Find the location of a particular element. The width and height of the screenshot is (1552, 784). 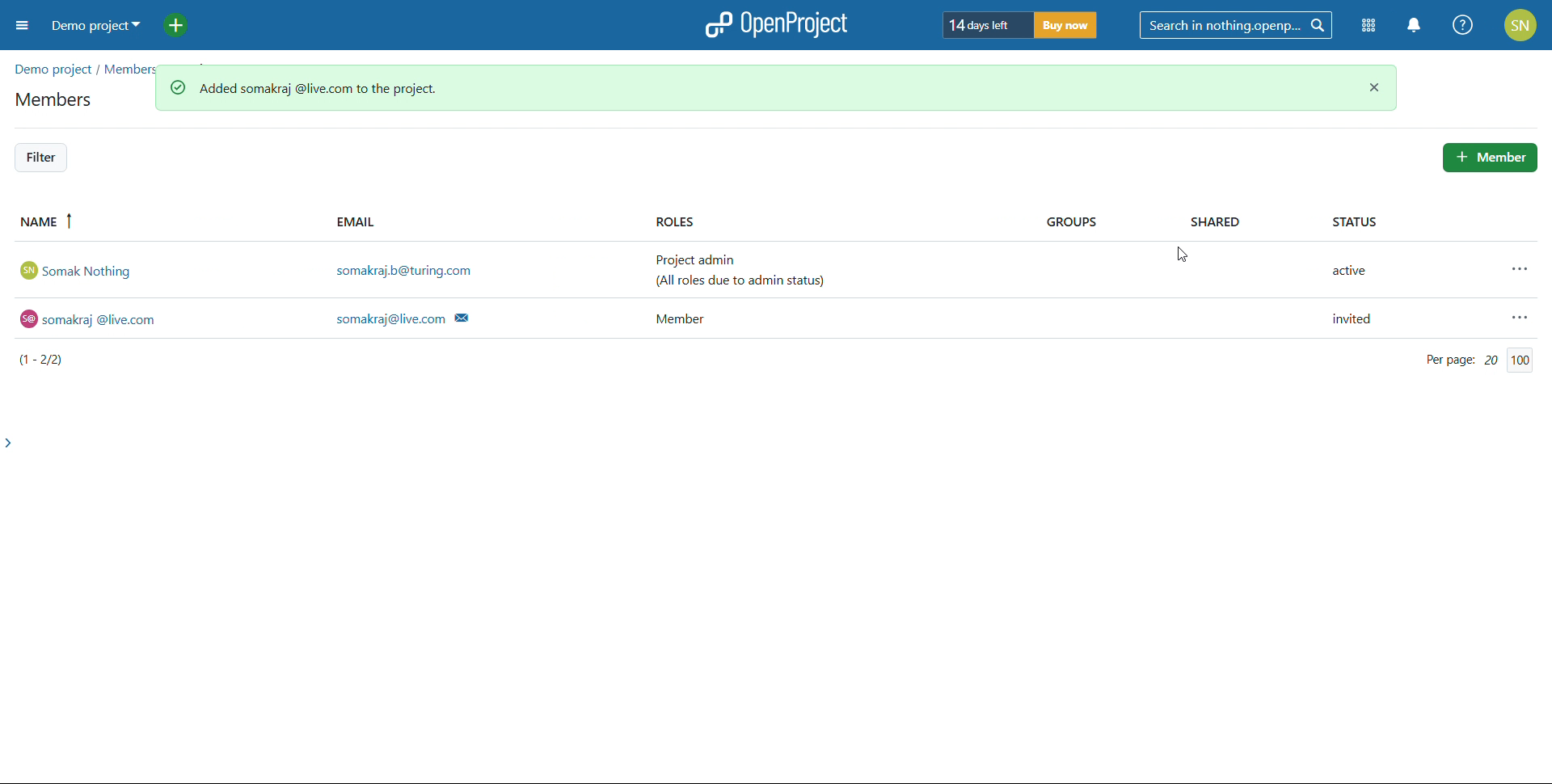

more actions is located at coordinates (1499, 316).